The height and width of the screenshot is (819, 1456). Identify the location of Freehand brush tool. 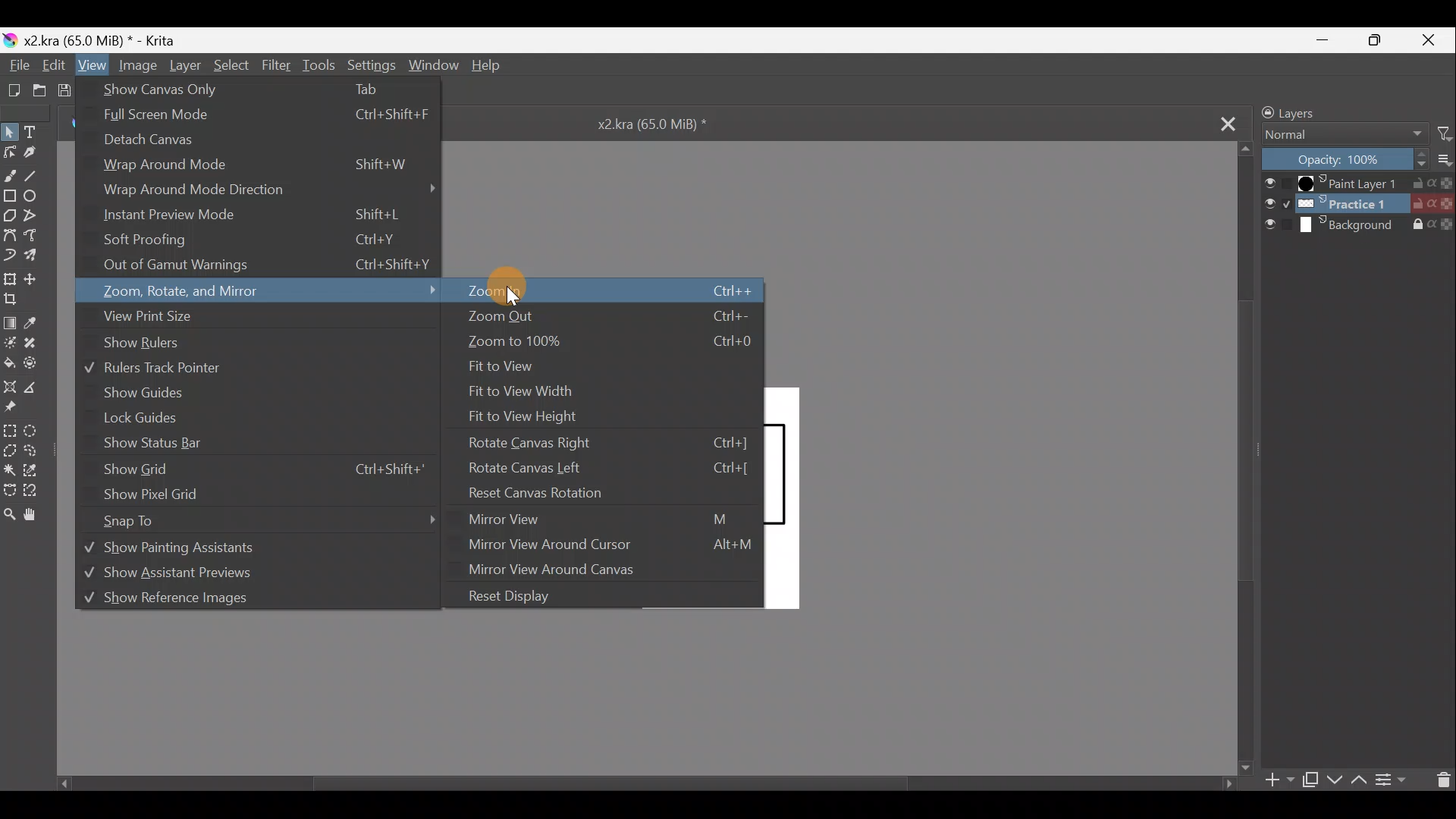
(9, 175).